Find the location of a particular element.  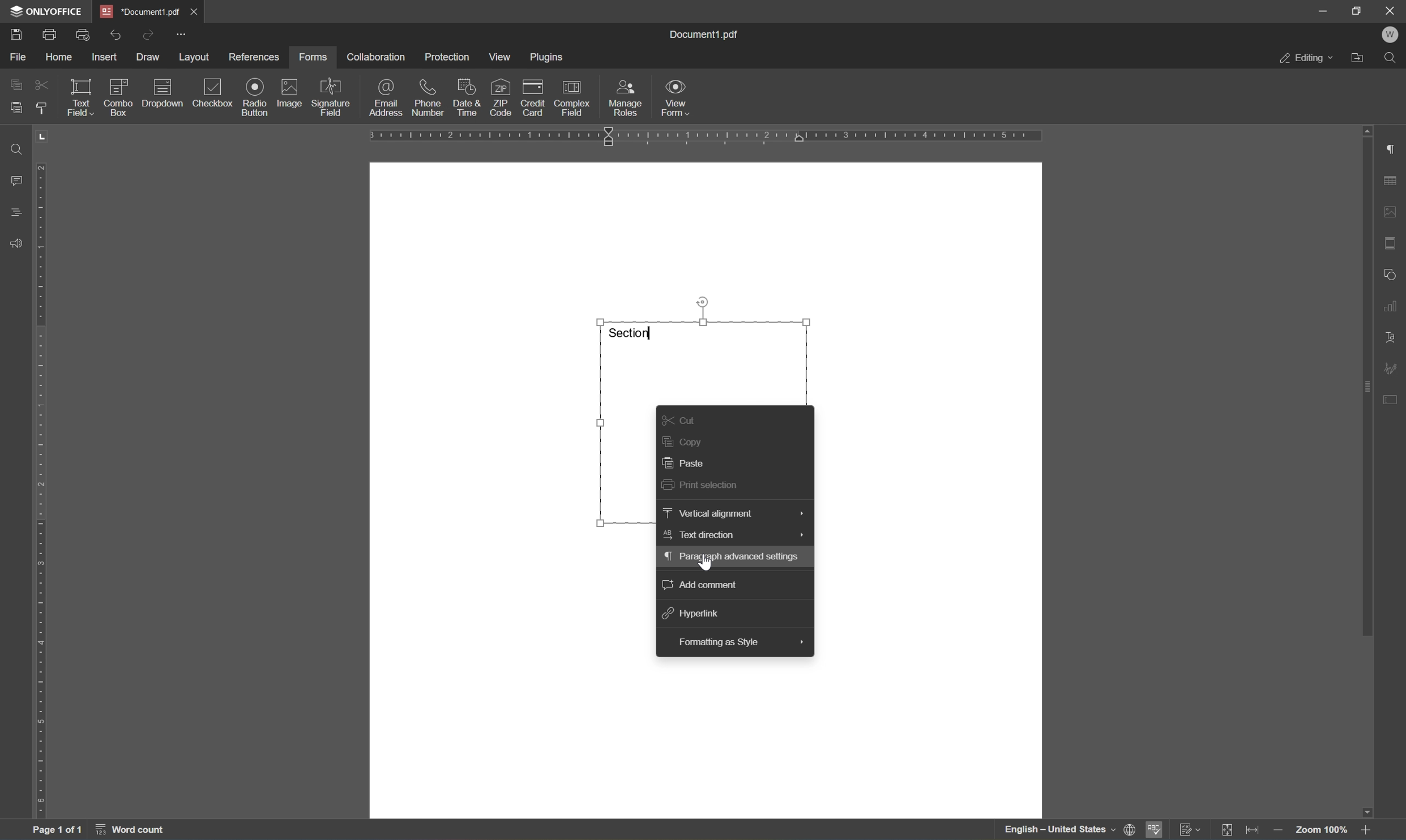

cut is located at coordinates (41, 84).